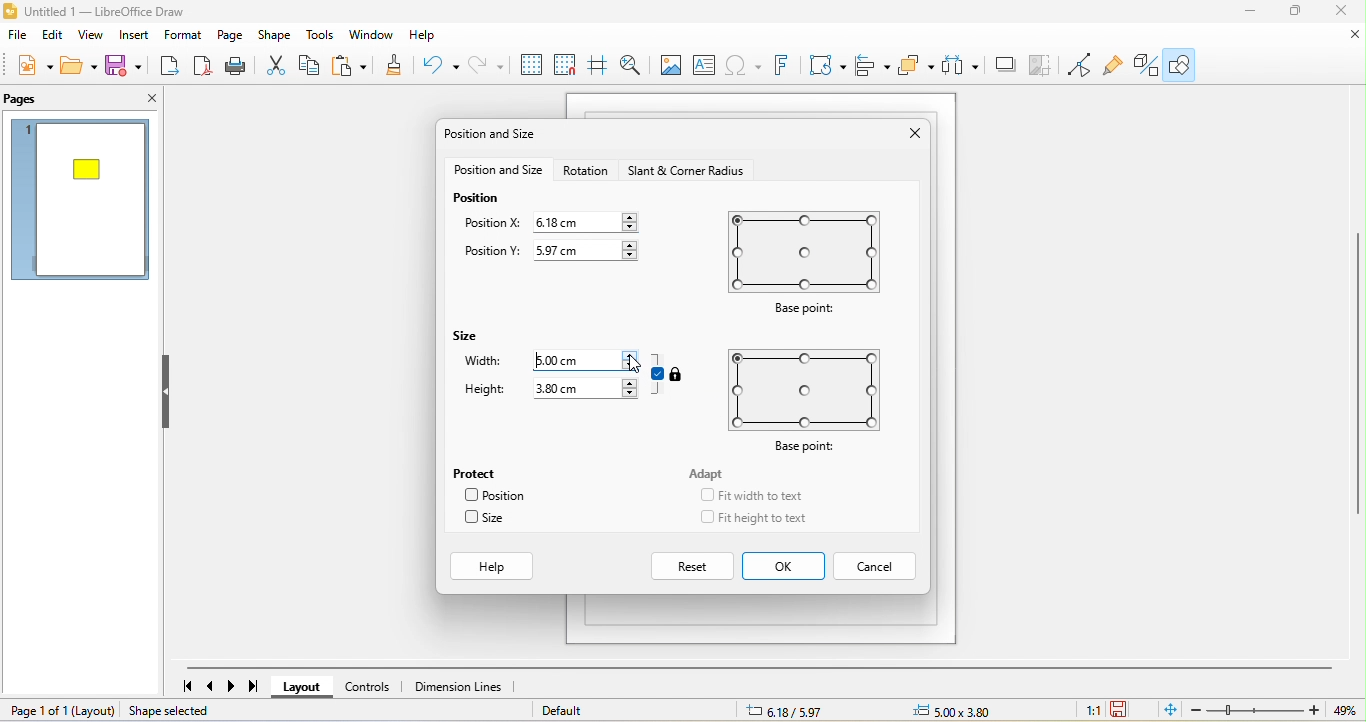  Describe the element at coordinates (375, 35) in the screenshot. I see `window` at that location.